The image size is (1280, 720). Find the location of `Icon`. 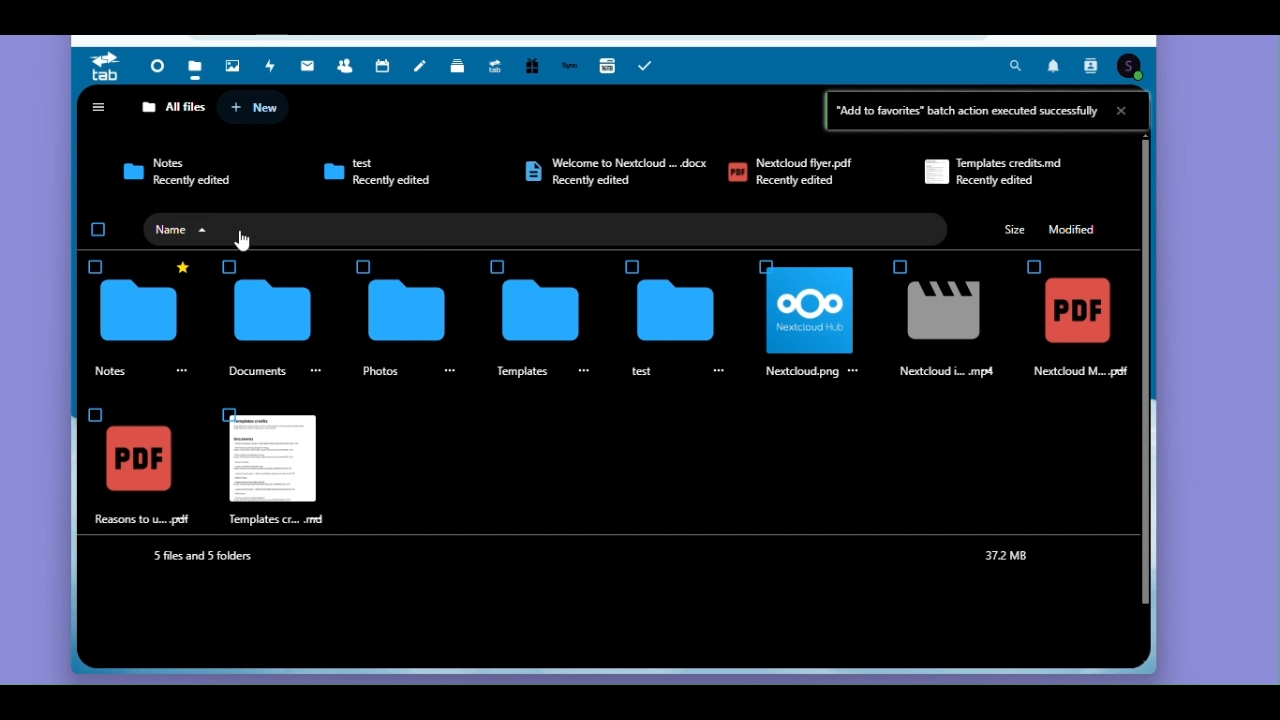

Icon is located at coordinates (139, 461).